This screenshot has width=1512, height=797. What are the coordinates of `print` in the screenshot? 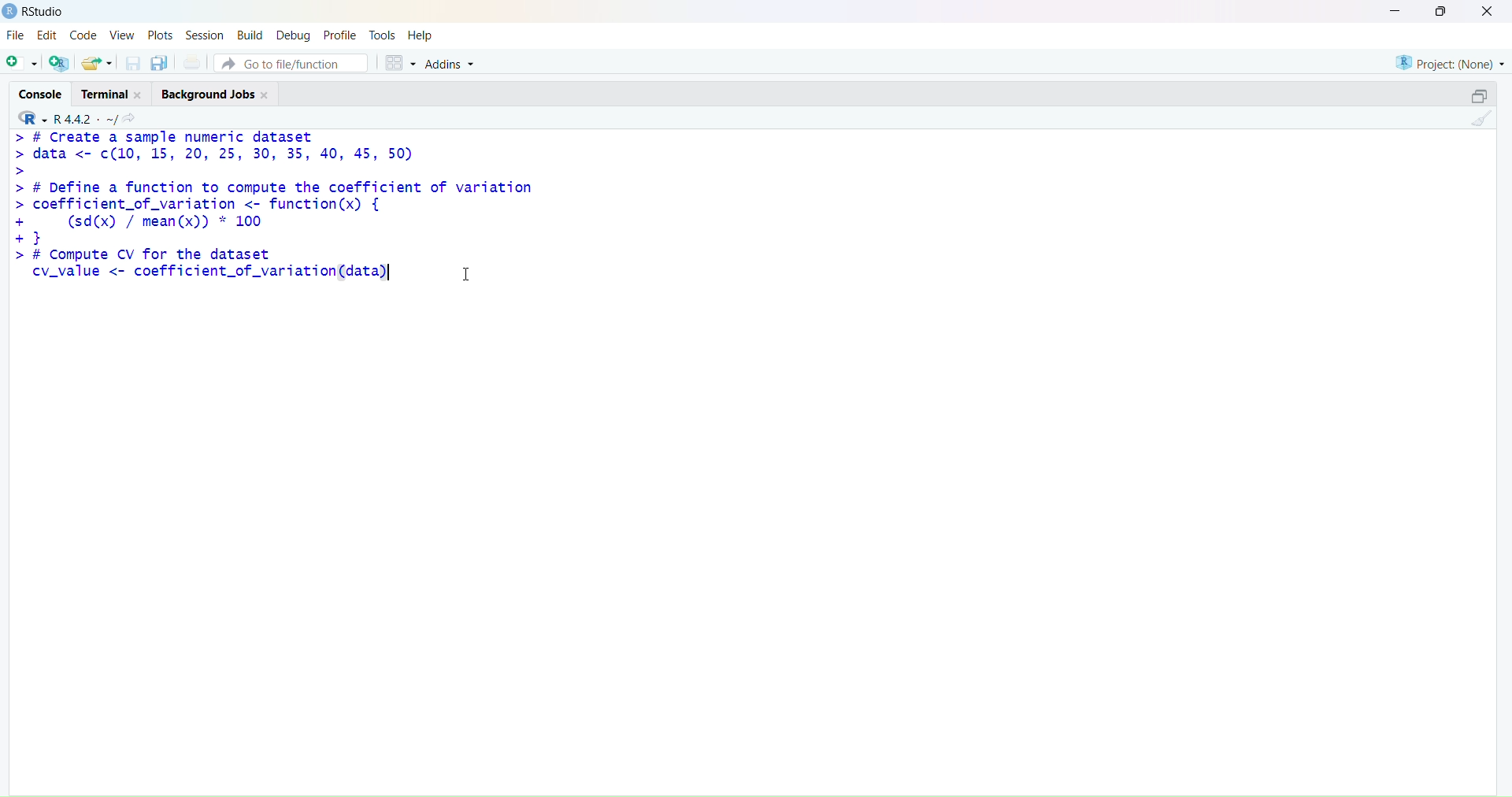 It's located at (193, 62).